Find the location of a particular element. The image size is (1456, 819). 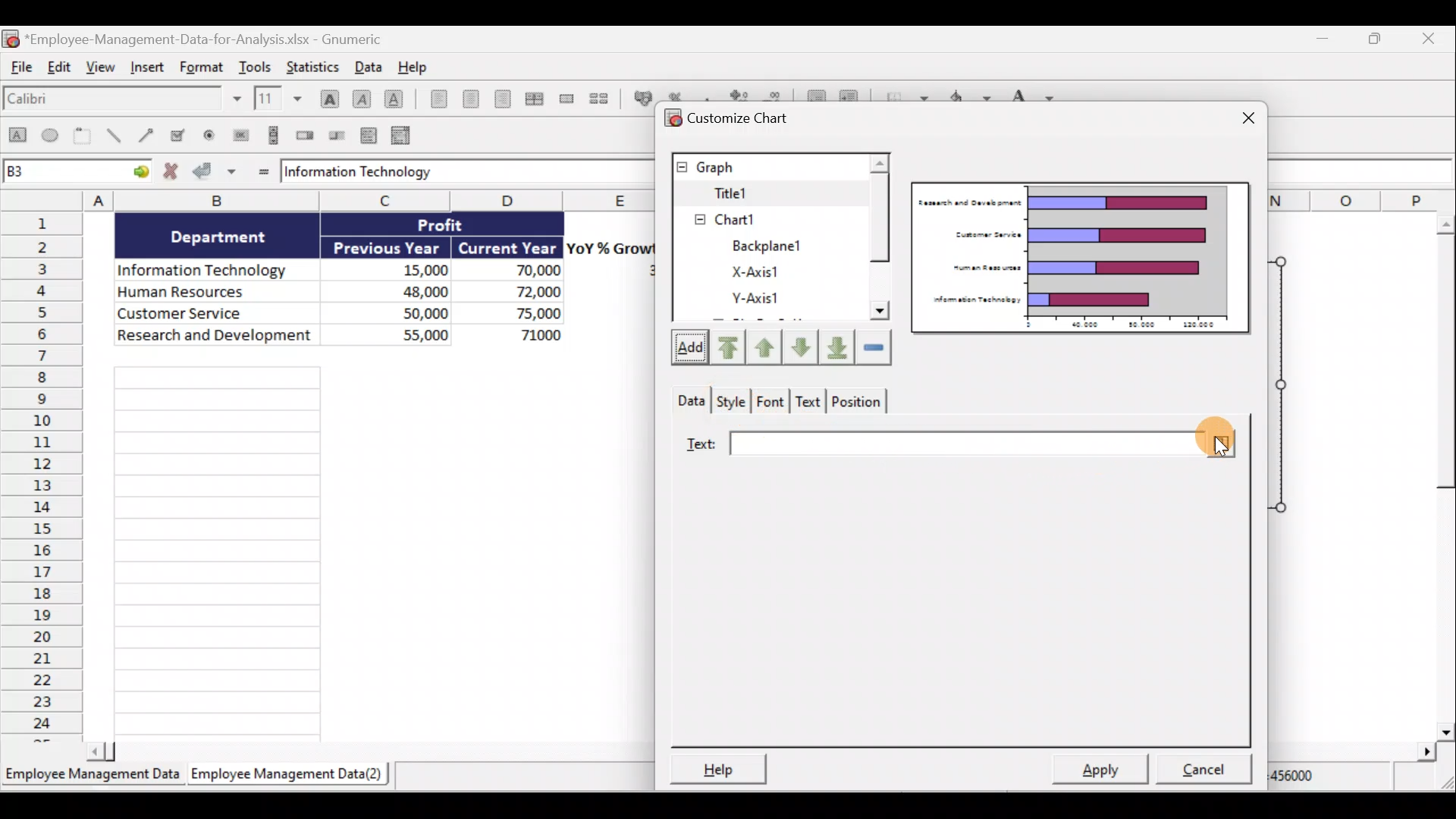

Cancel change is located at coordinates (171, 173).